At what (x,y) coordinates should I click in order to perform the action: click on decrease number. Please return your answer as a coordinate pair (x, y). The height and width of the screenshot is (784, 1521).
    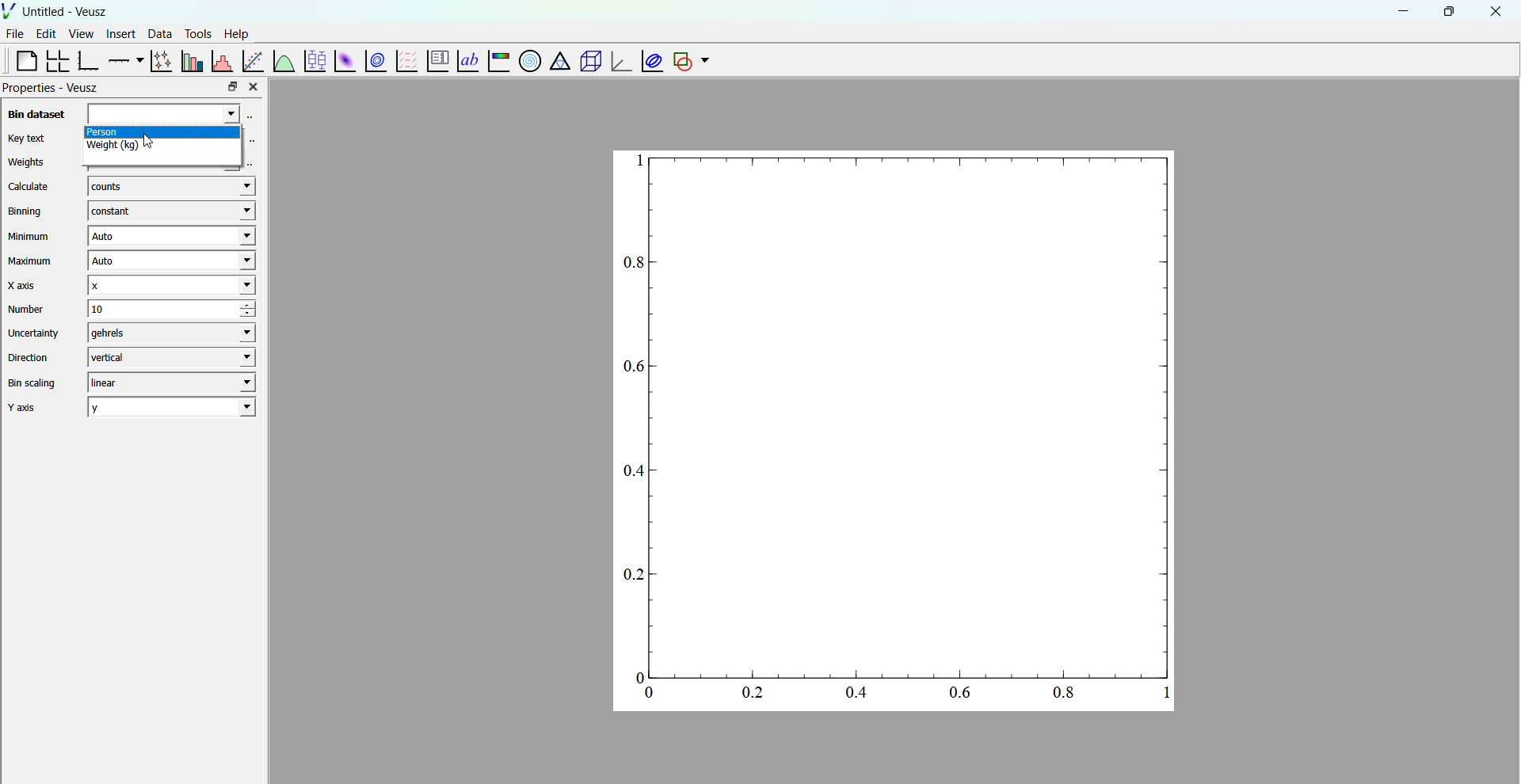
    Looking at the image, I should click on (257, 315).